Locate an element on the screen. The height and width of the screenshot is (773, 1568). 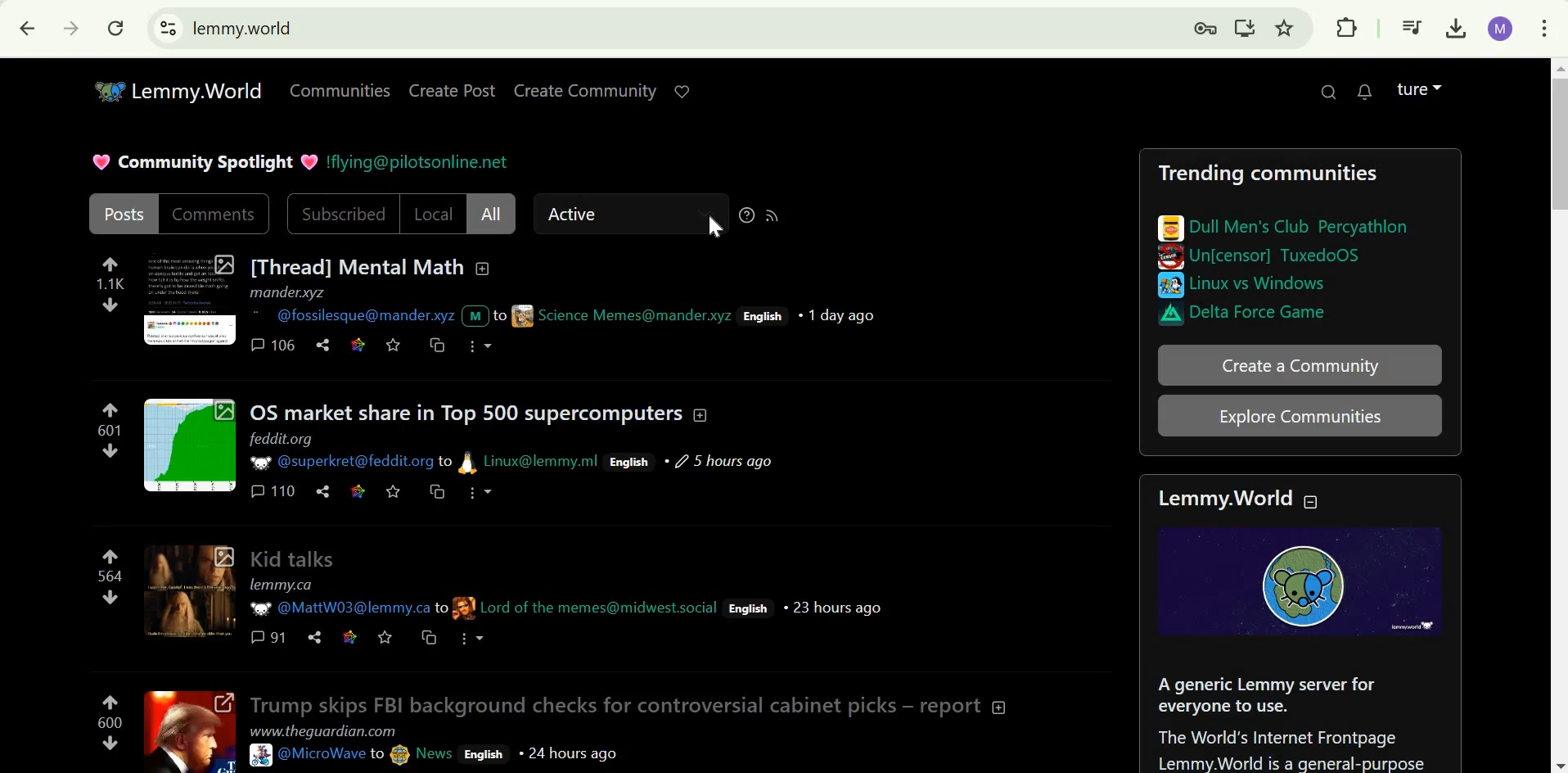
upvote is located at coordinates (110, 409).